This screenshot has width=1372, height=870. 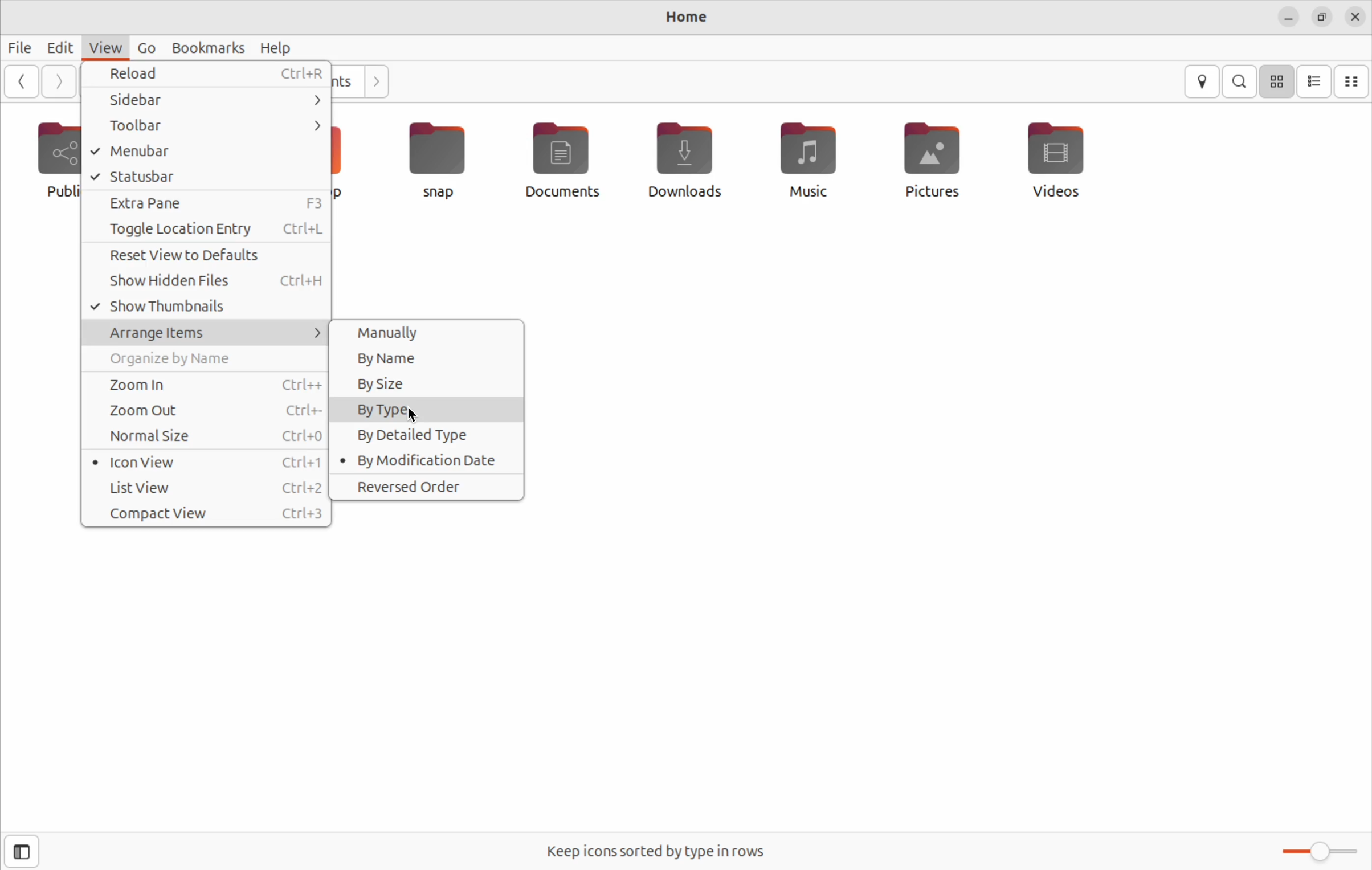 What do you see at coordinates (59, 81) in the screenshot?
I see `forward` at bounding box center [59, 81].